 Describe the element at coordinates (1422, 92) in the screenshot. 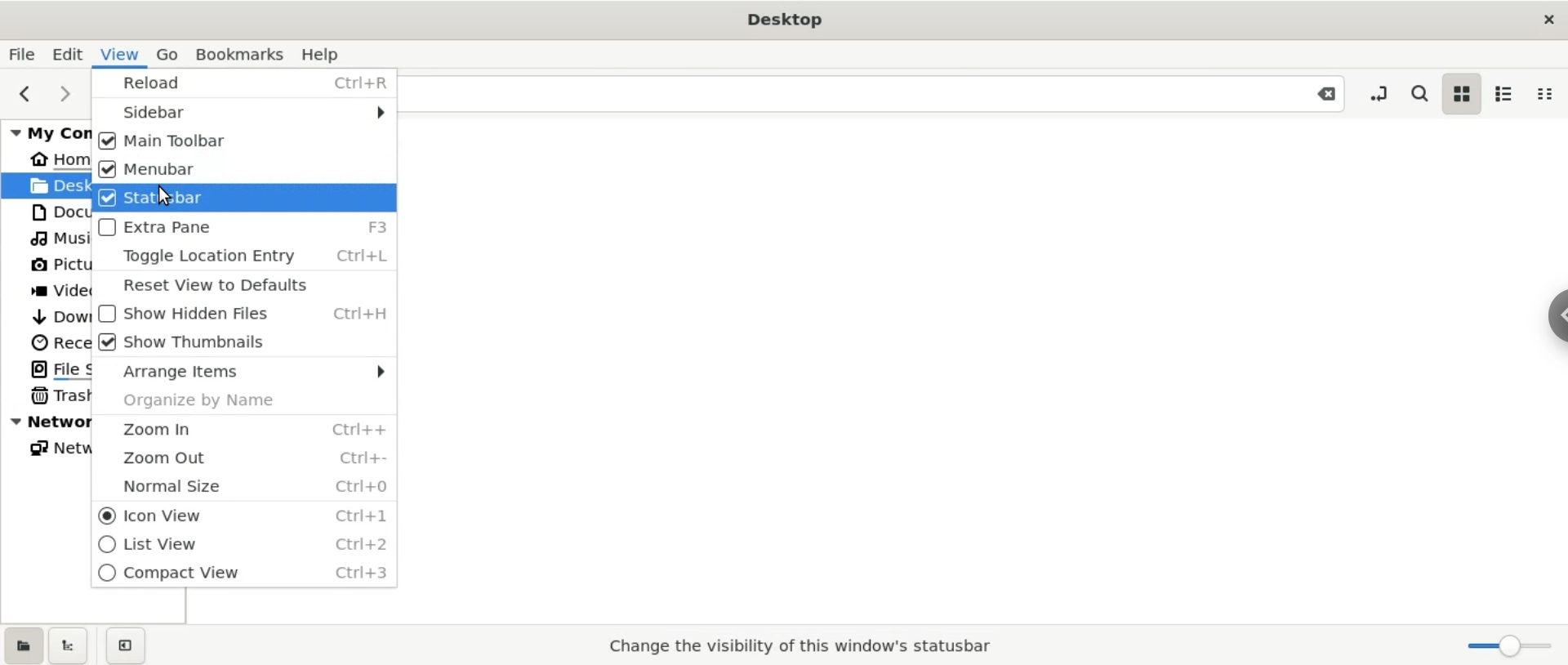

I see `search` at that location.